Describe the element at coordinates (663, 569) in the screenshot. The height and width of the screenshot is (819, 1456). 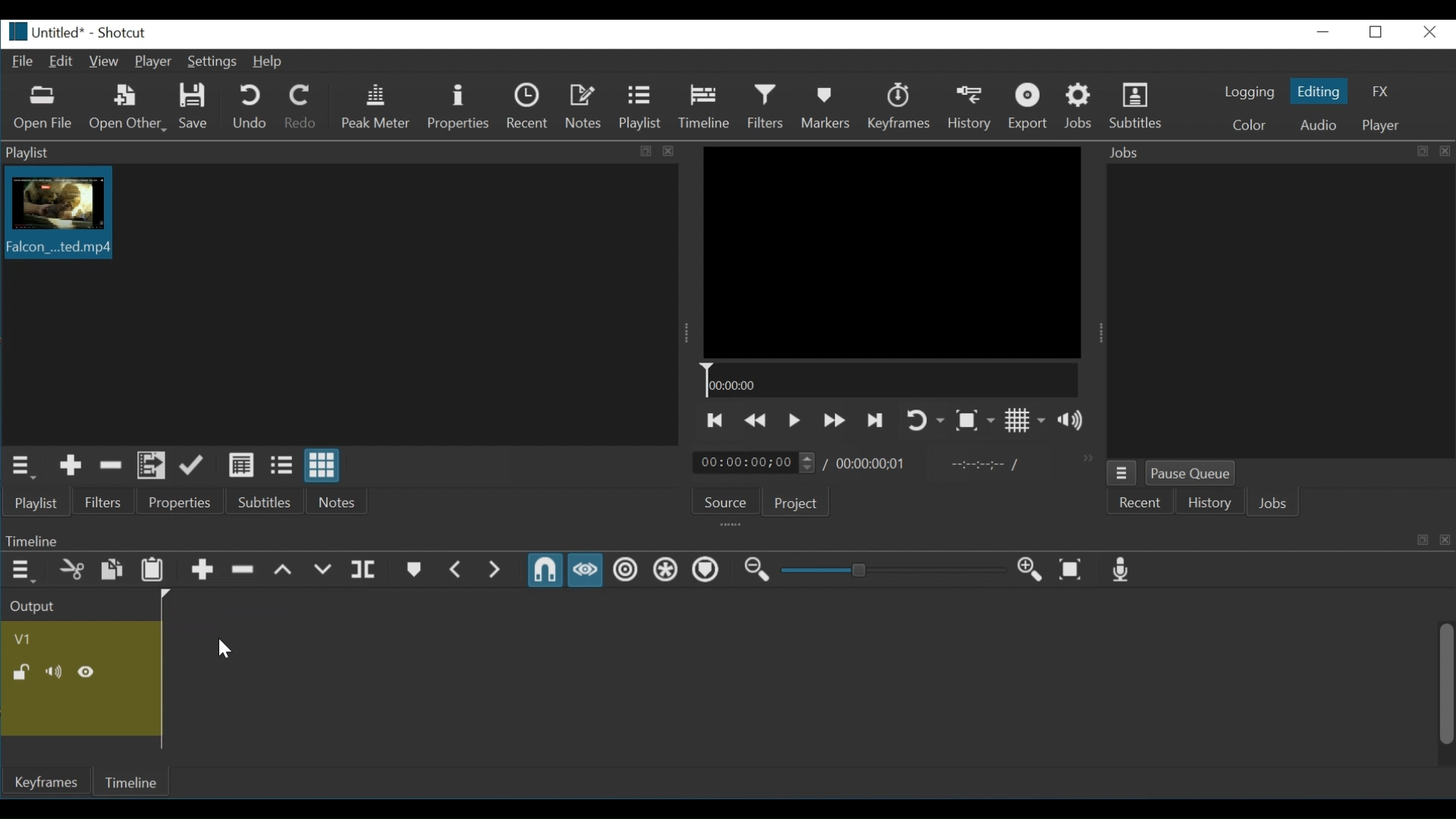
I see `Ripple all tracks` at that location.